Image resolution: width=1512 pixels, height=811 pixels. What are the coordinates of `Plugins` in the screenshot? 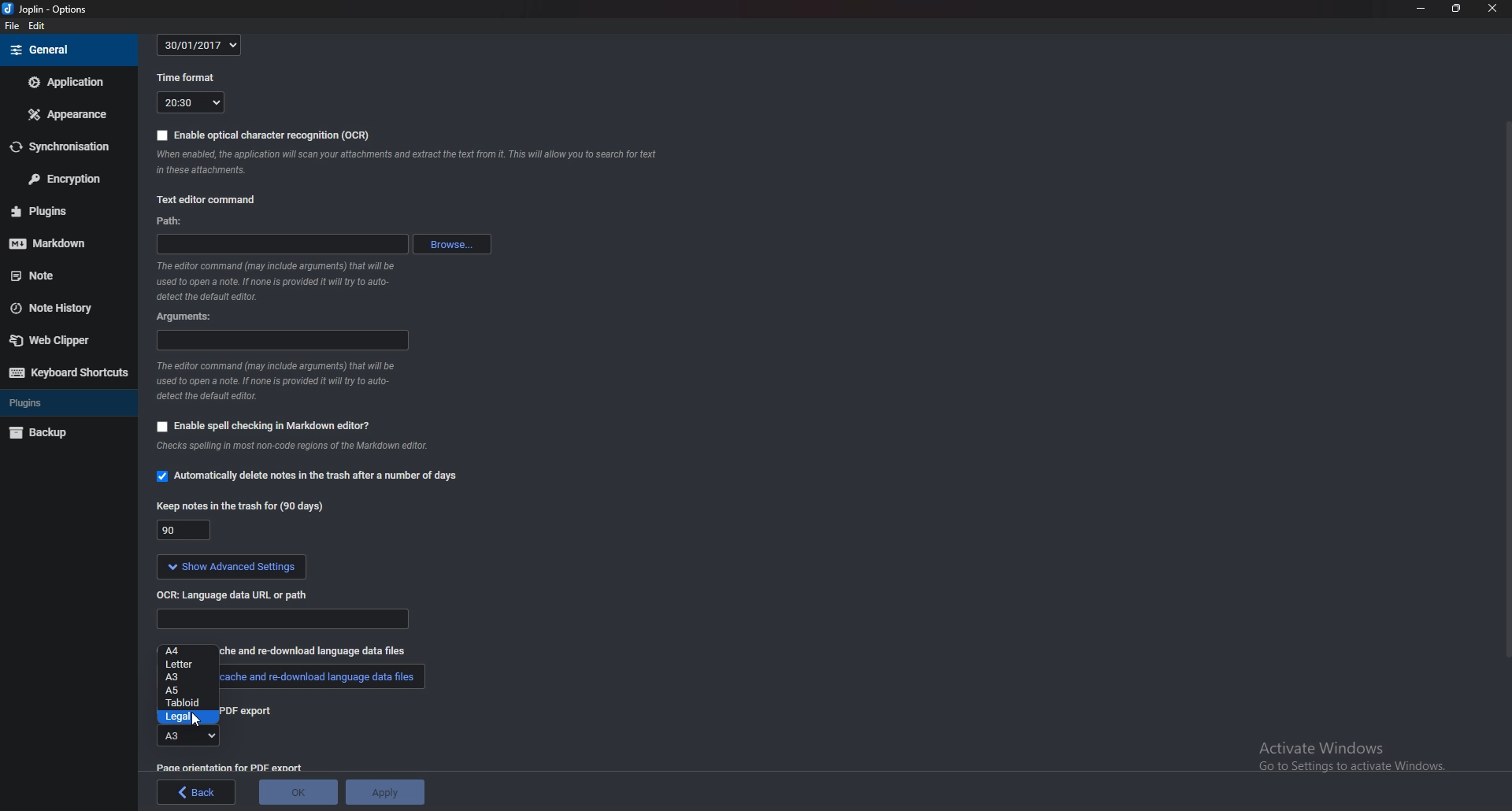 It's located at (64, 210).